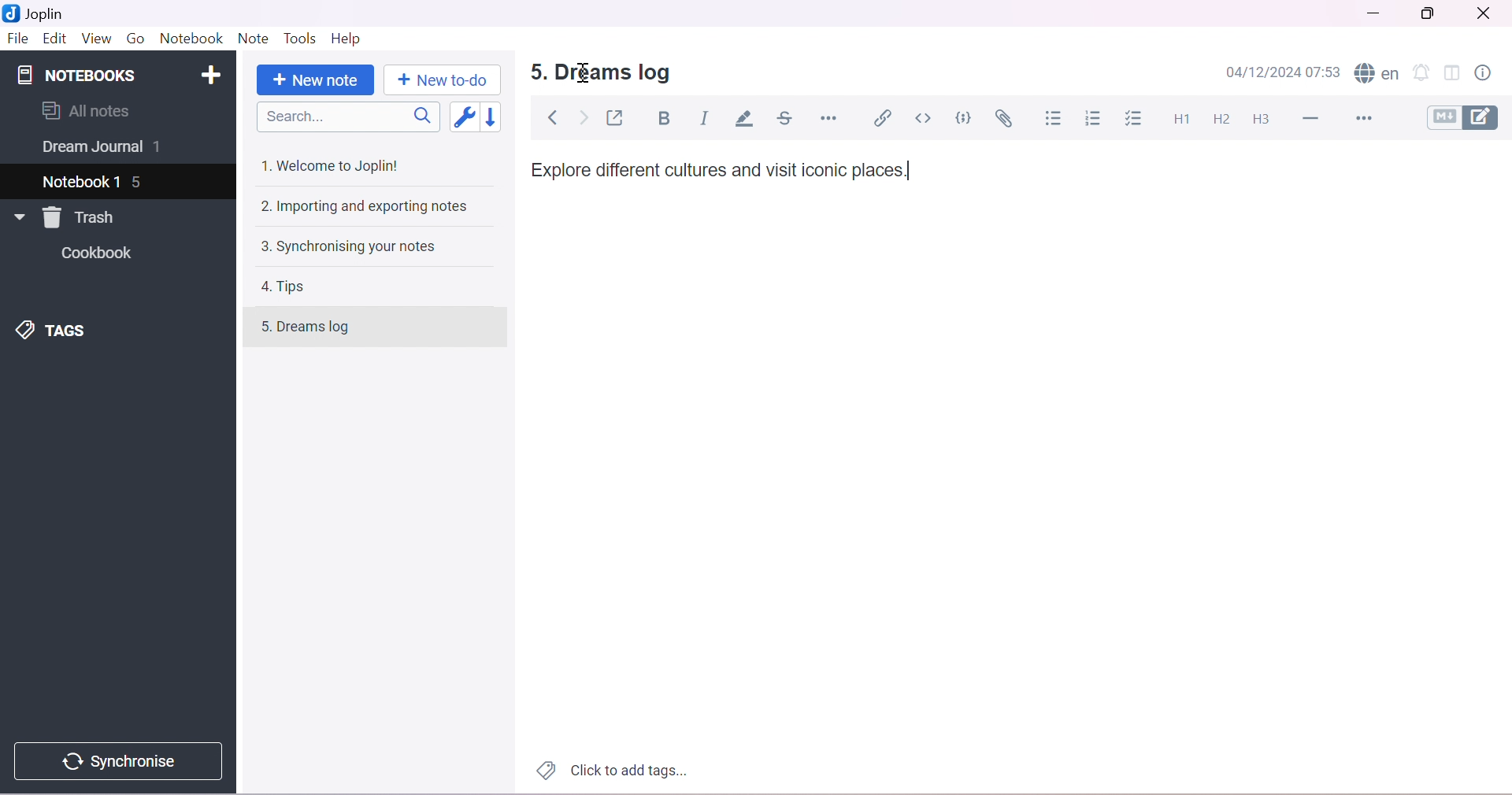  Describe the element at coordinates (135, 37) in the screenshot. I see `Go` at that location.